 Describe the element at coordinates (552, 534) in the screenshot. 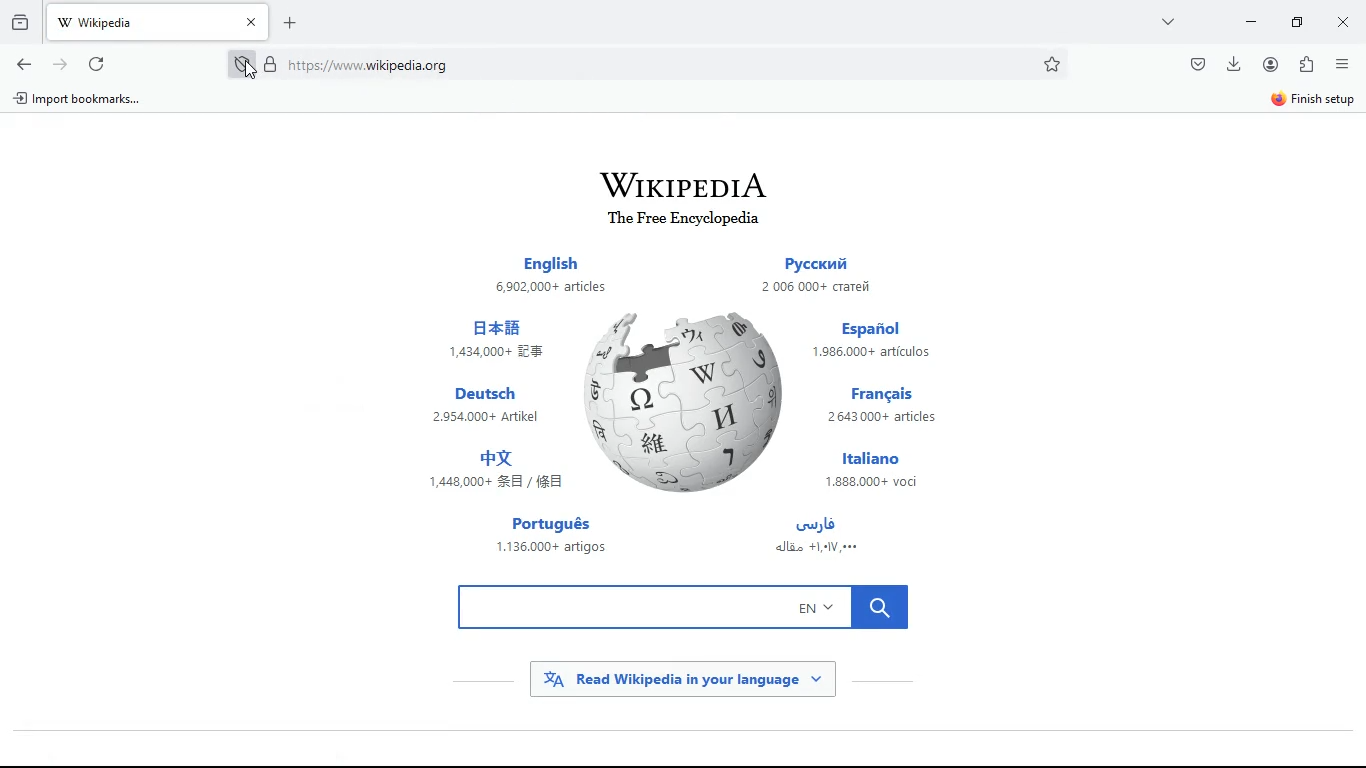

I see `português` at that location.